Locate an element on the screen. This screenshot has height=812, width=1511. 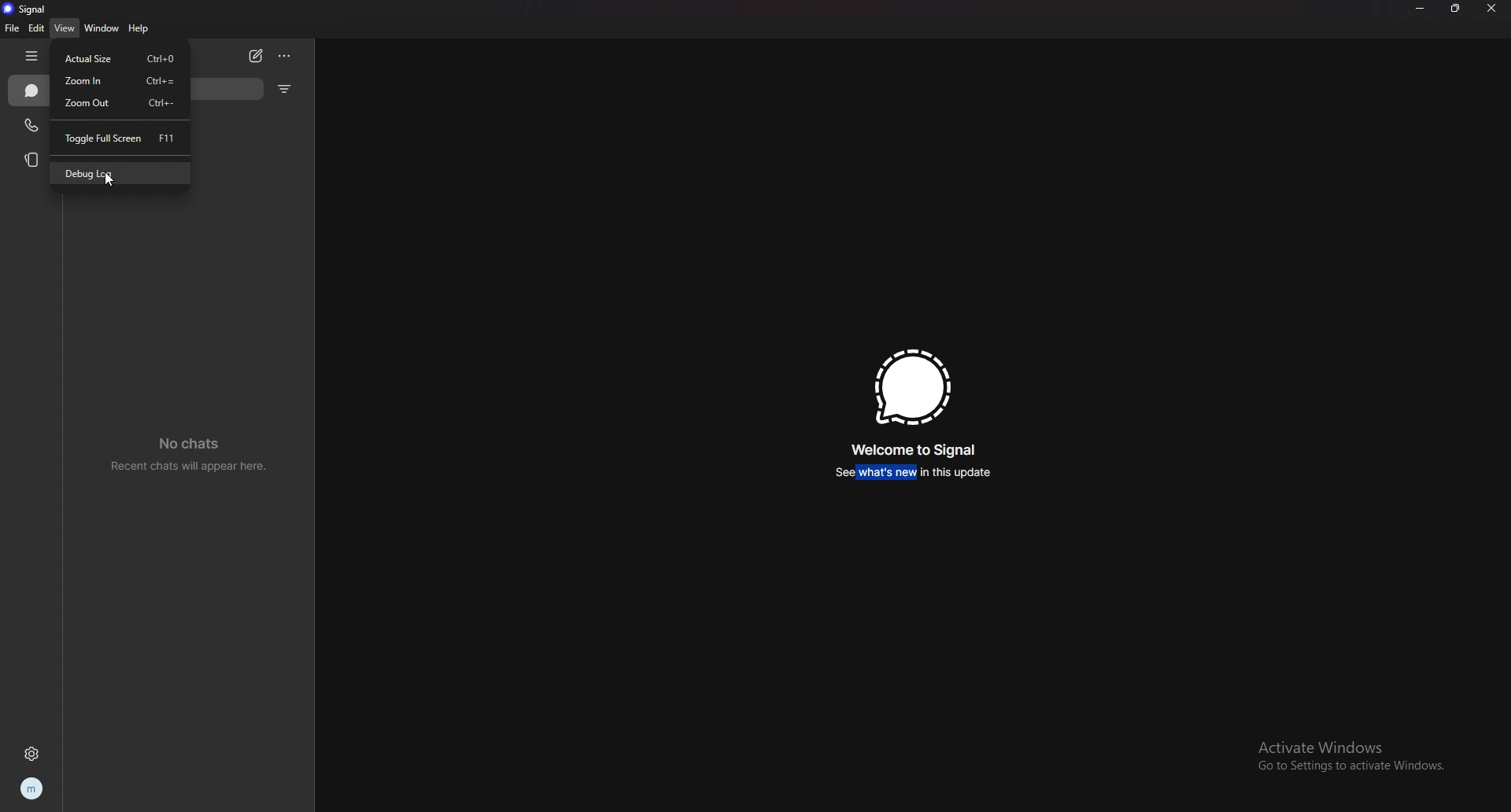
actual size is located at coordinates (129, 57).